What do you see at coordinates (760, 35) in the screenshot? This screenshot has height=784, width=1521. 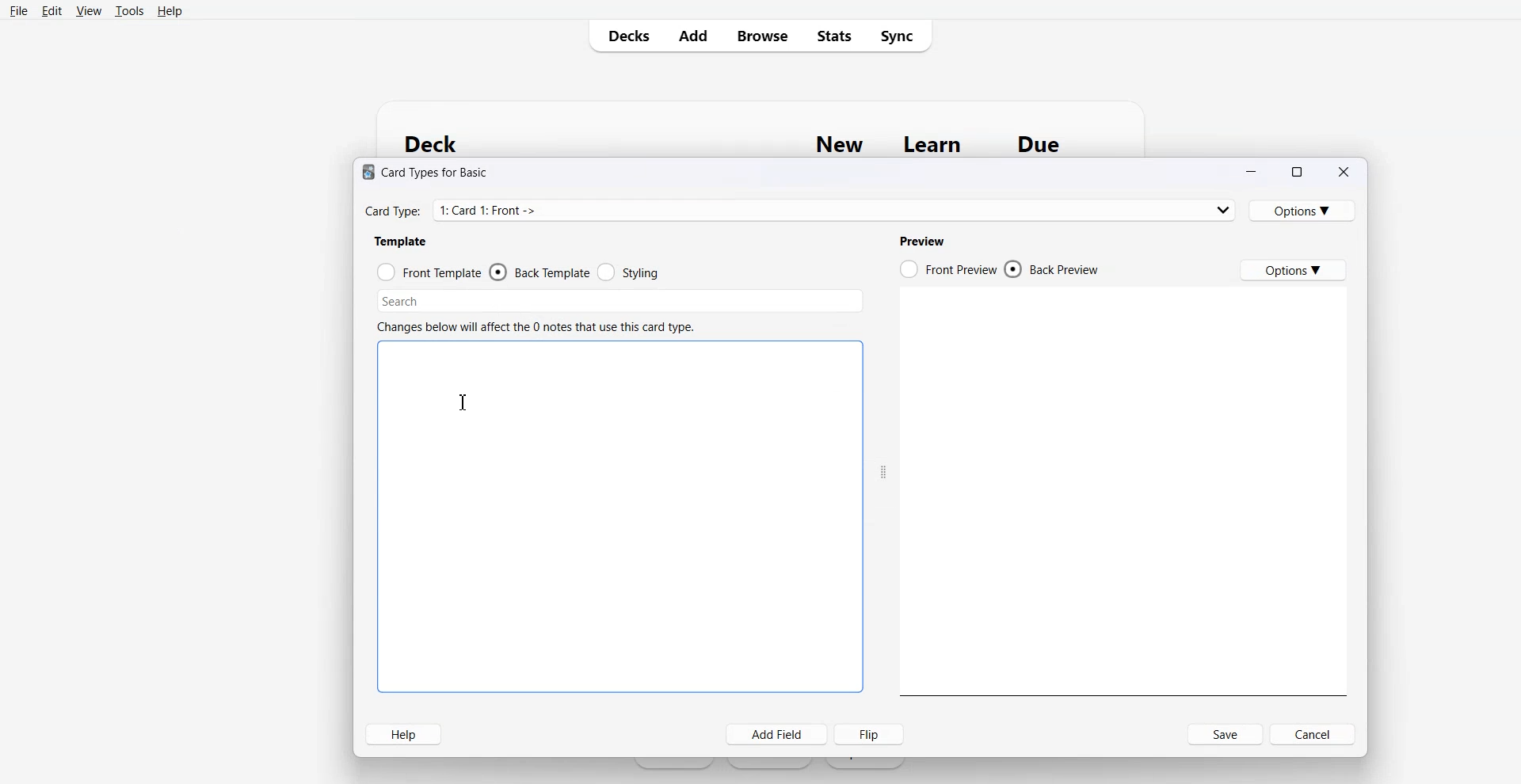 I see `Browse` at bounding box center [760, 35].